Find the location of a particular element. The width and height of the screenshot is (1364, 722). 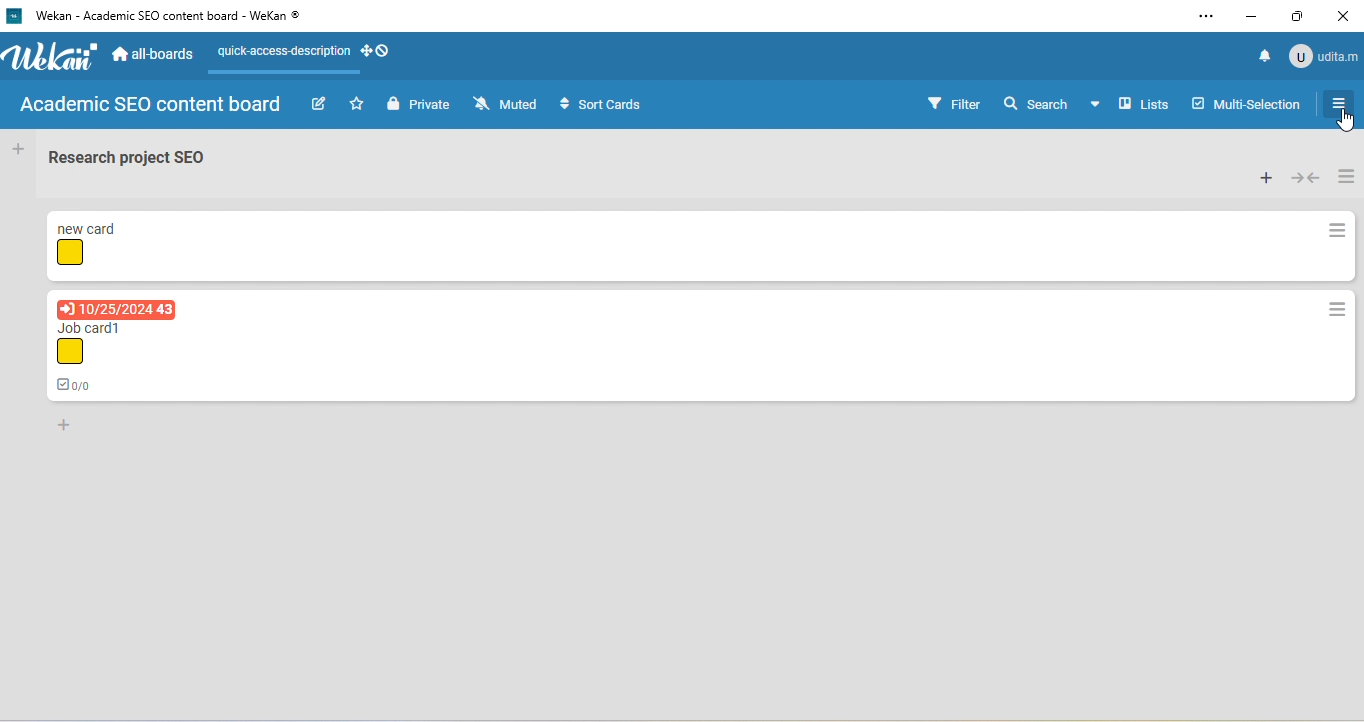

open or close sidebar is located at coordinates (1337, 104).